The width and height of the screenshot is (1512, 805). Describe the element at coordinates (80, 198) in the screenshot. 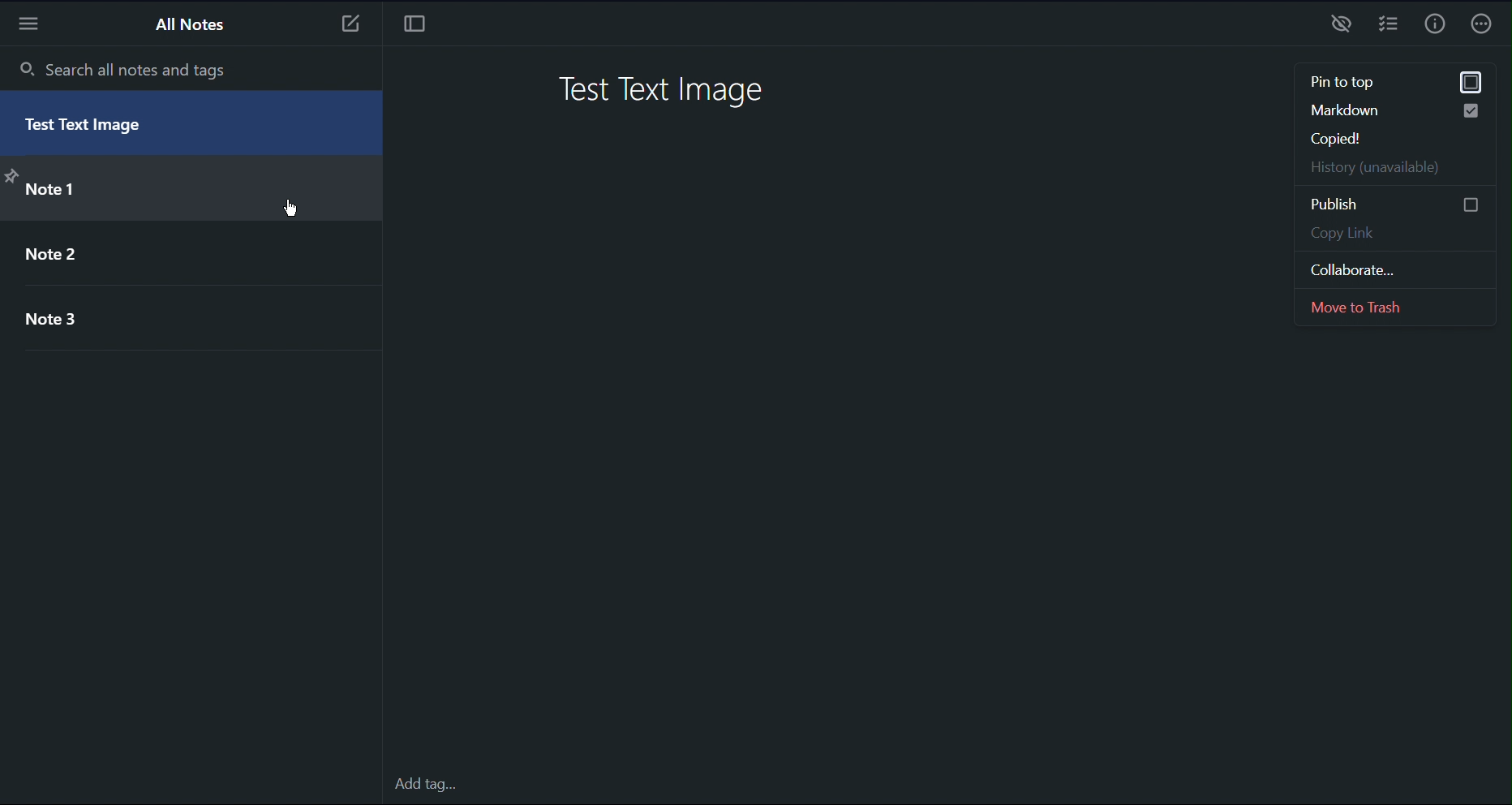

I see `>
Note 1` at that location.